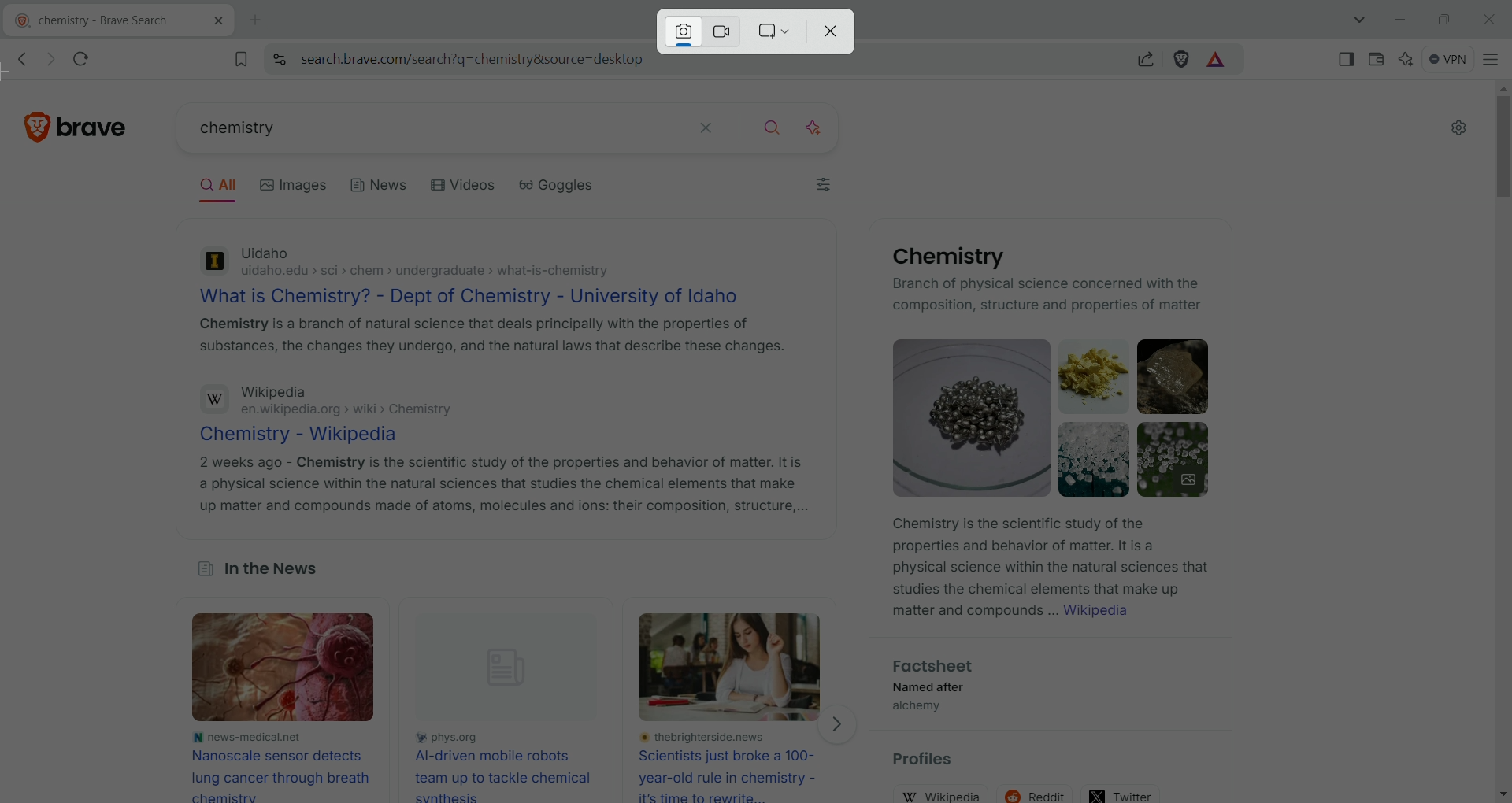 The image size is (1512, 803). I want to click on Profiles, so click(932, 761).